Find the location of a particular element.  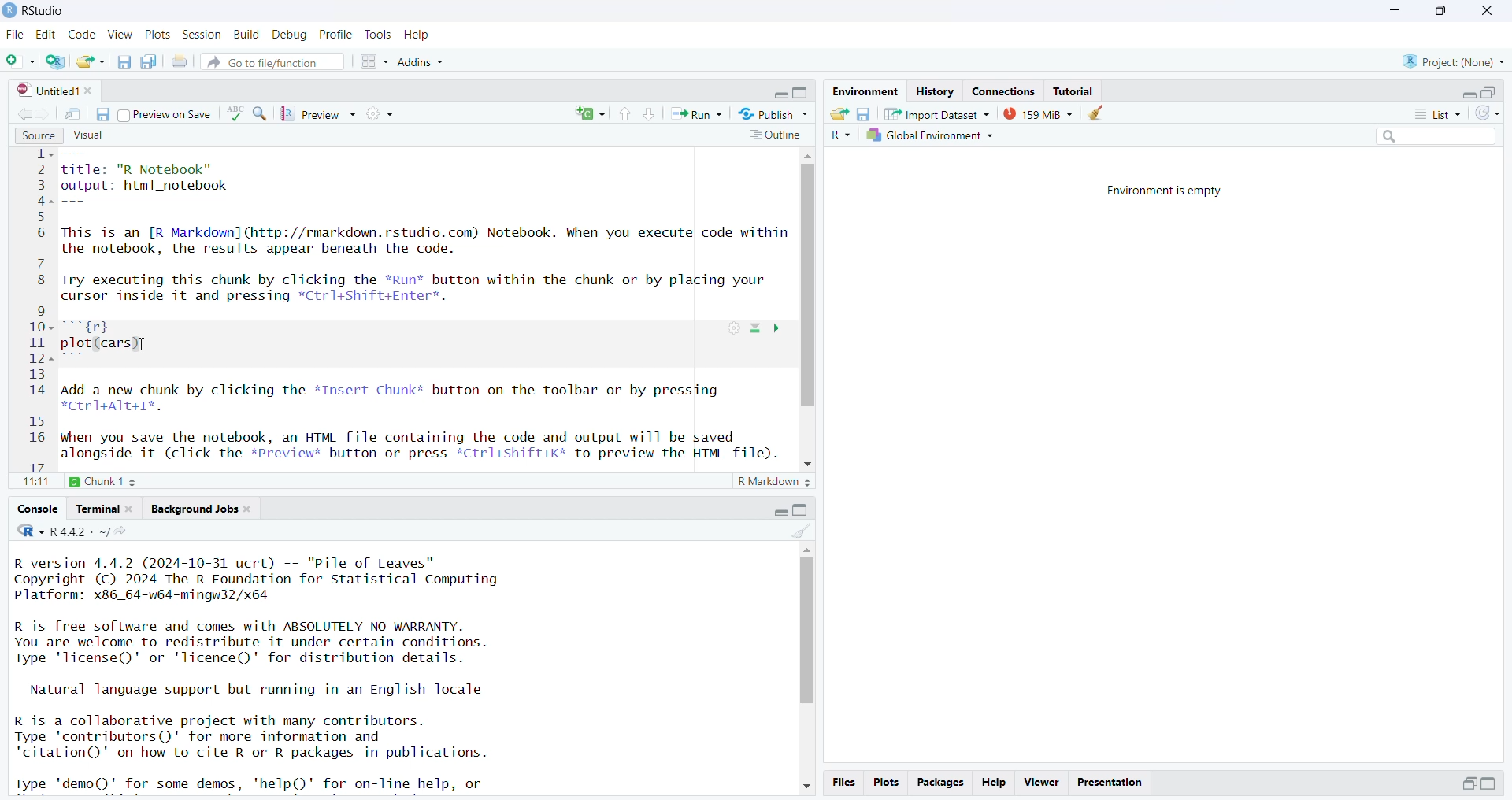

untitled1 is located at coordinates (57, 91).